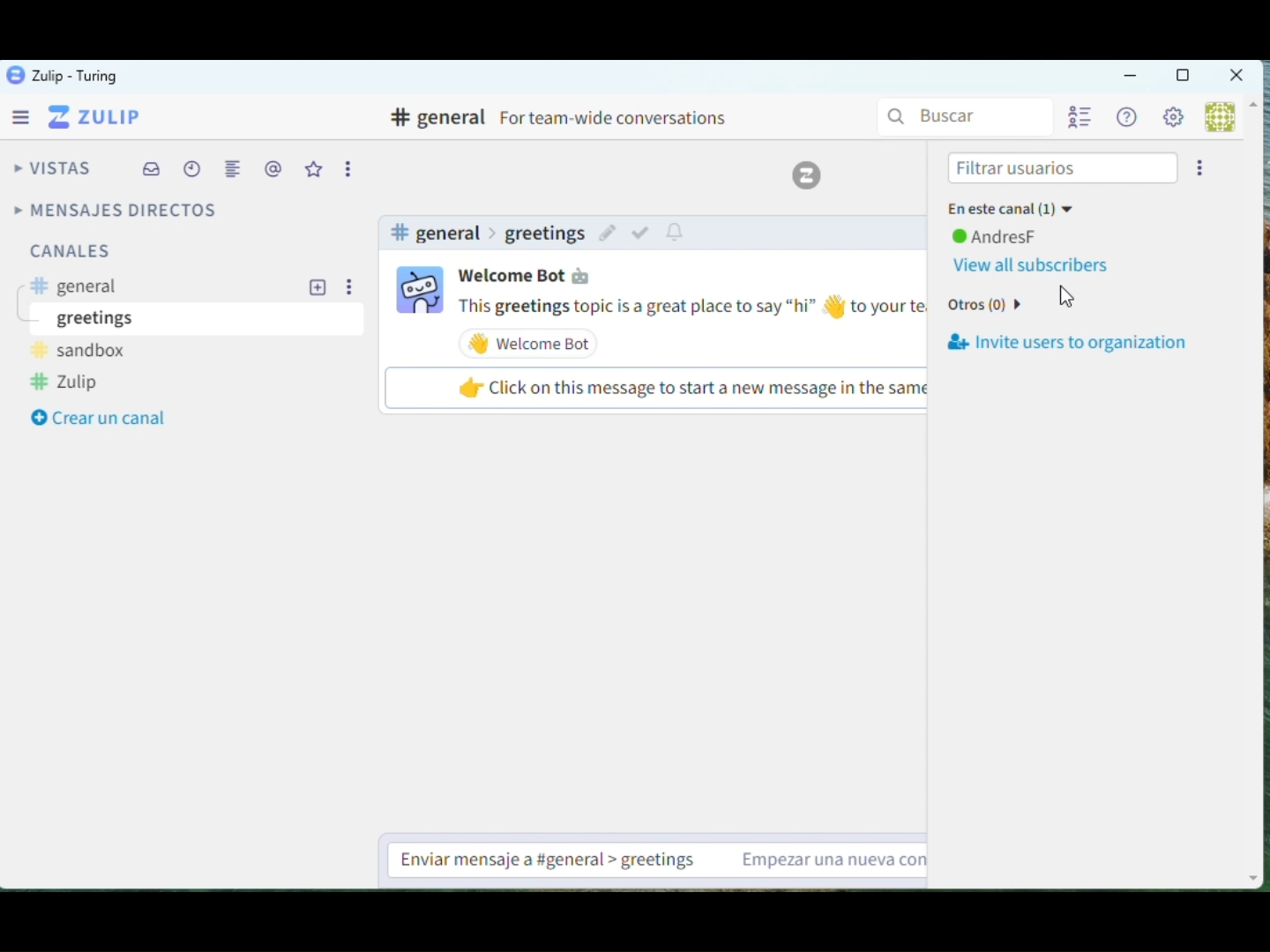  I want to click on Channel, so click(560, 118).